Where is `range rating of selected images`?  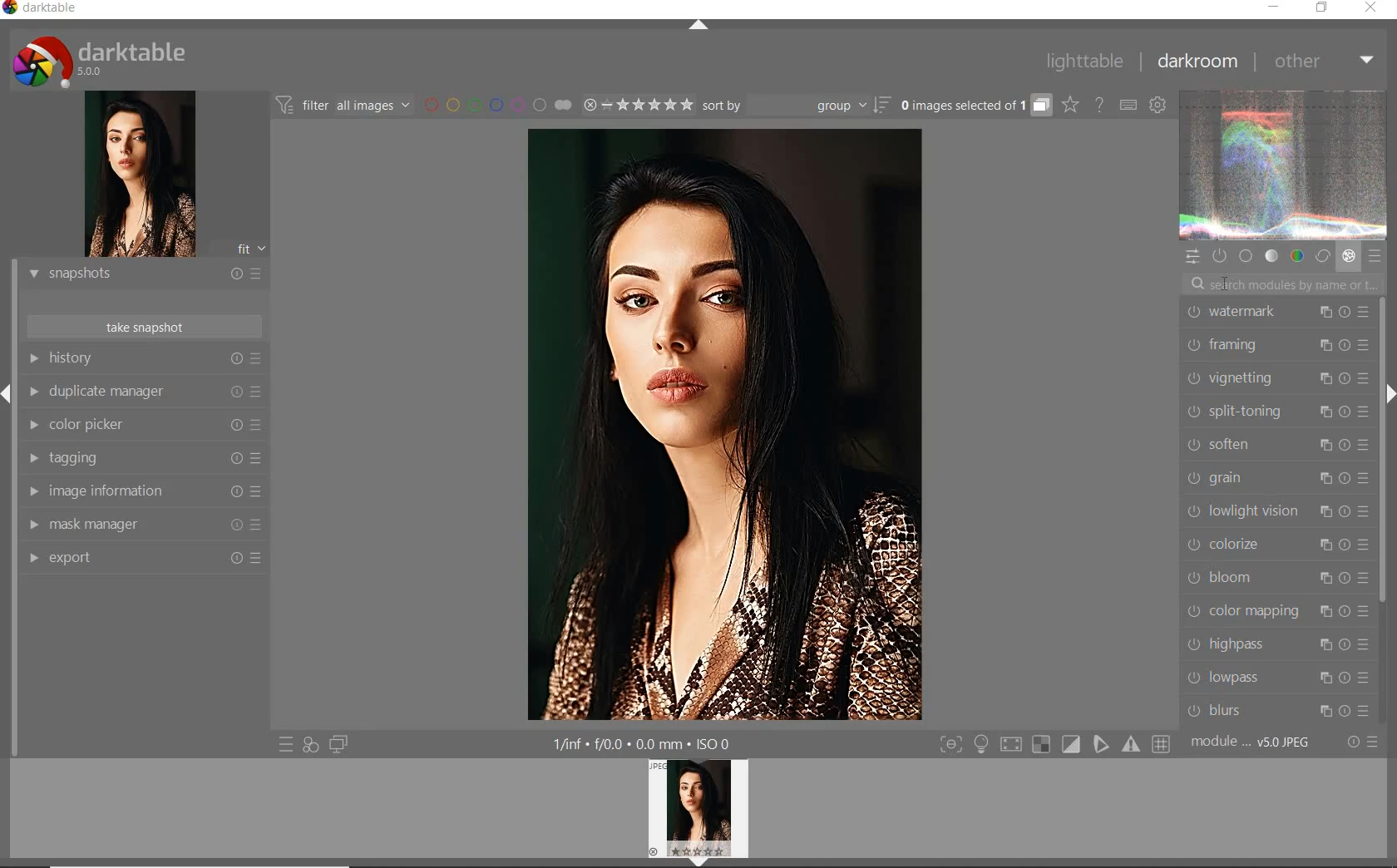
range rating of selected images is located at coordinates (635, 106).